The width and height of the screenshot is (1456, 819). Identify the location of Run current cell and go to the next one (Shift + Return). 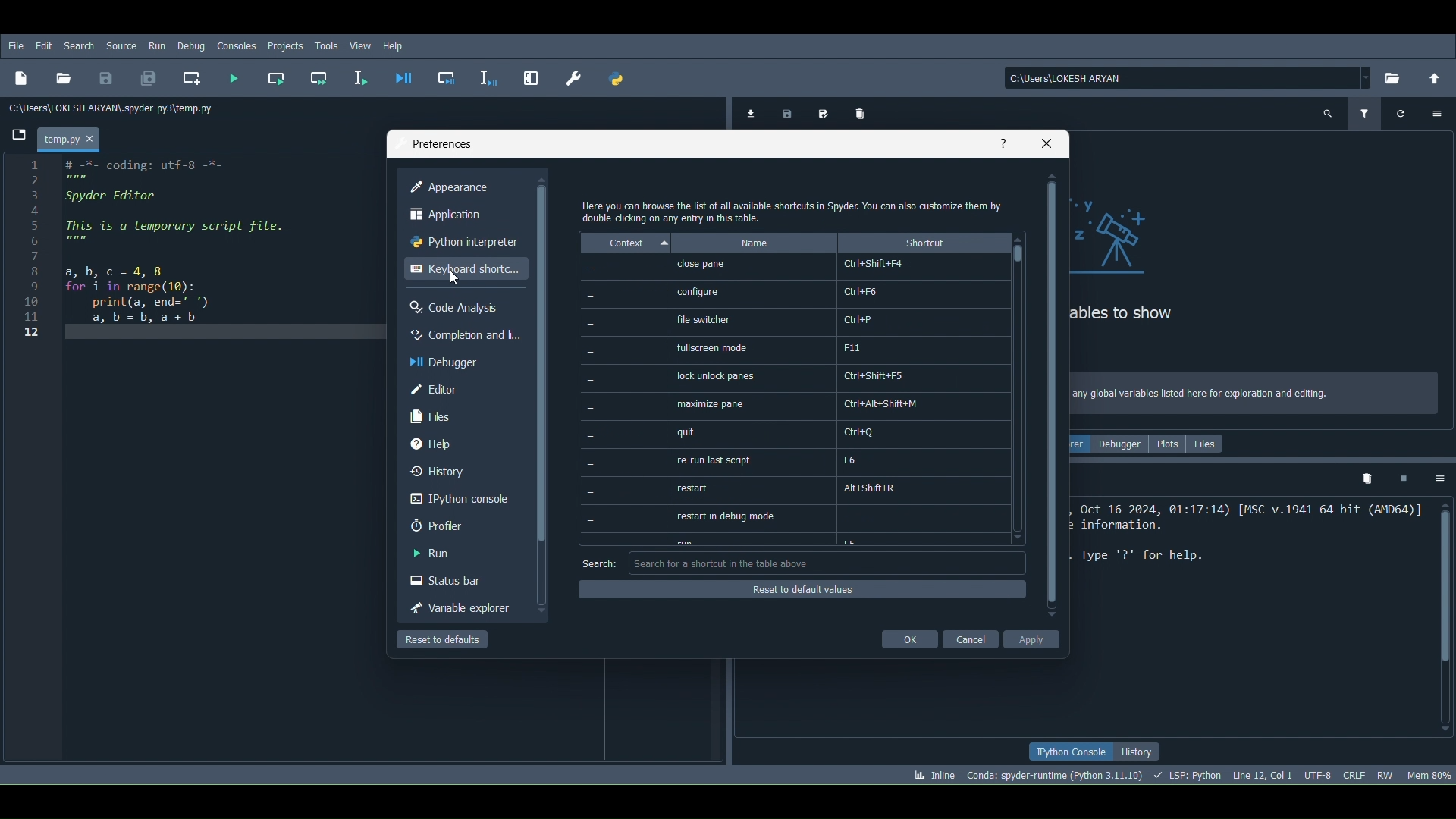
(318, 78).